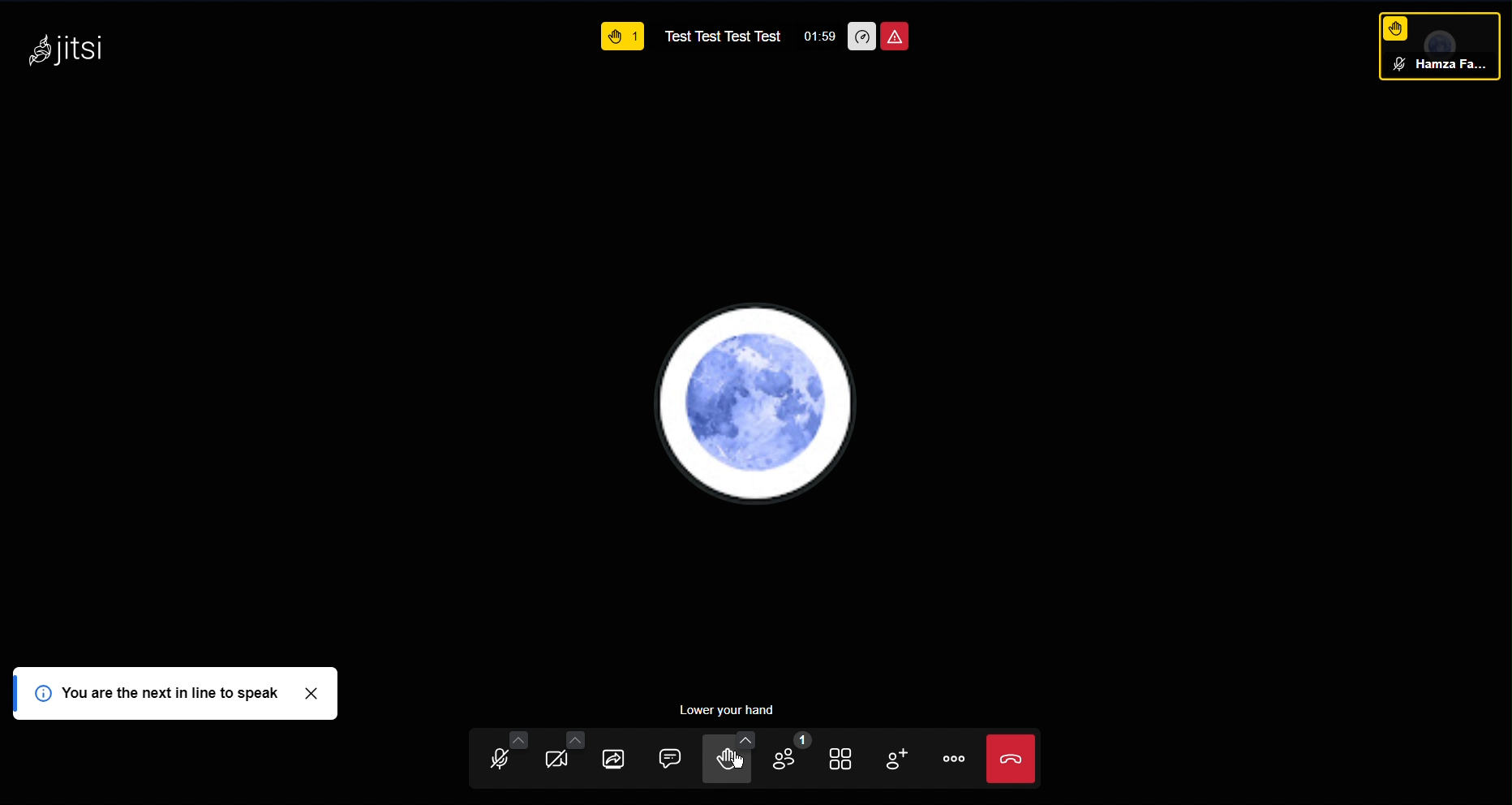 Image resolution: width=1512 pixels, height=805 pixels. Describe the element at coordinates (738, 761) in the screenshot. I see `Cursor on Raise Hand` at that location.